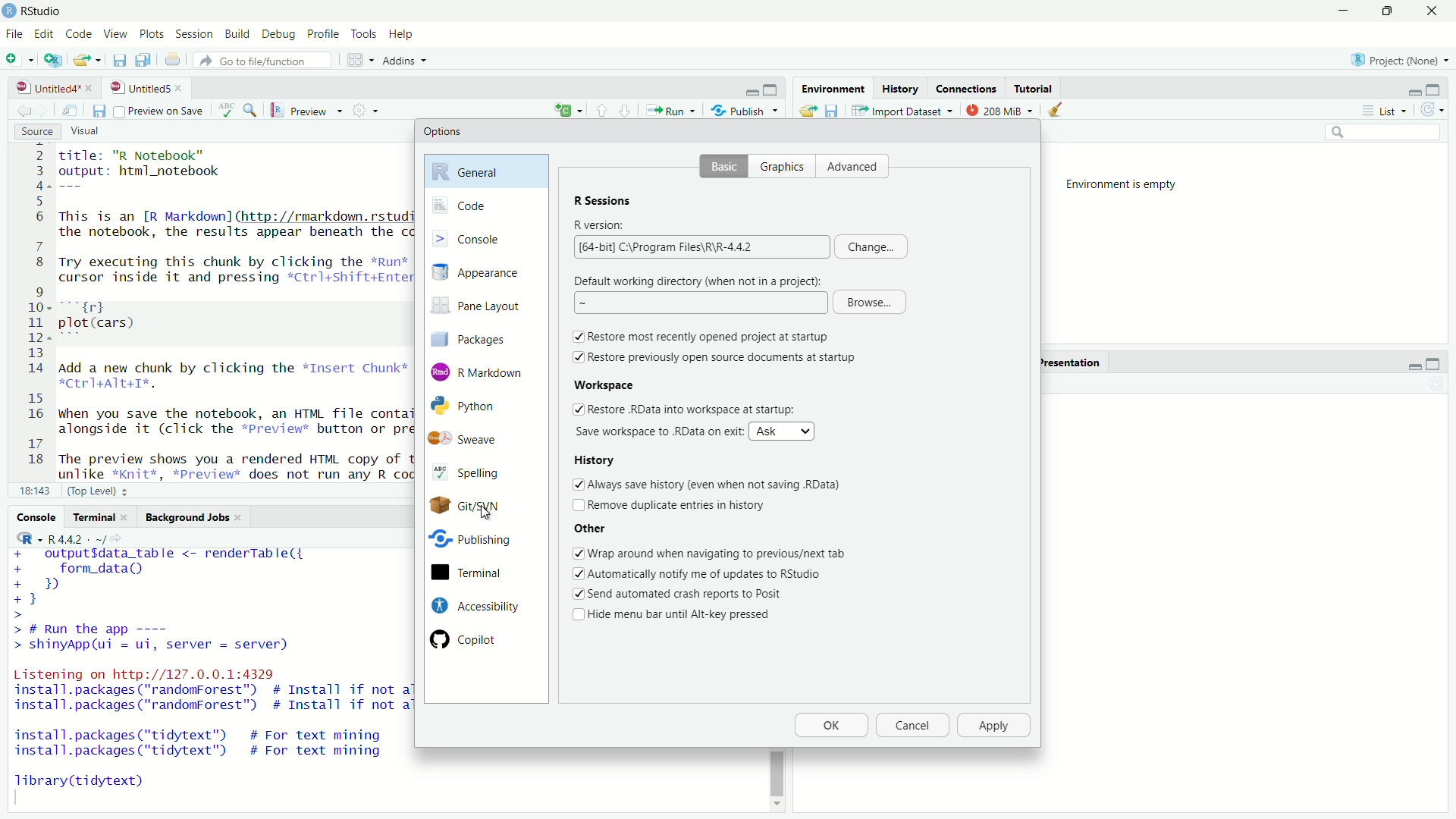 This screenshot has width=1456, height=819. I want to click on minimize, so click(1413, 91).